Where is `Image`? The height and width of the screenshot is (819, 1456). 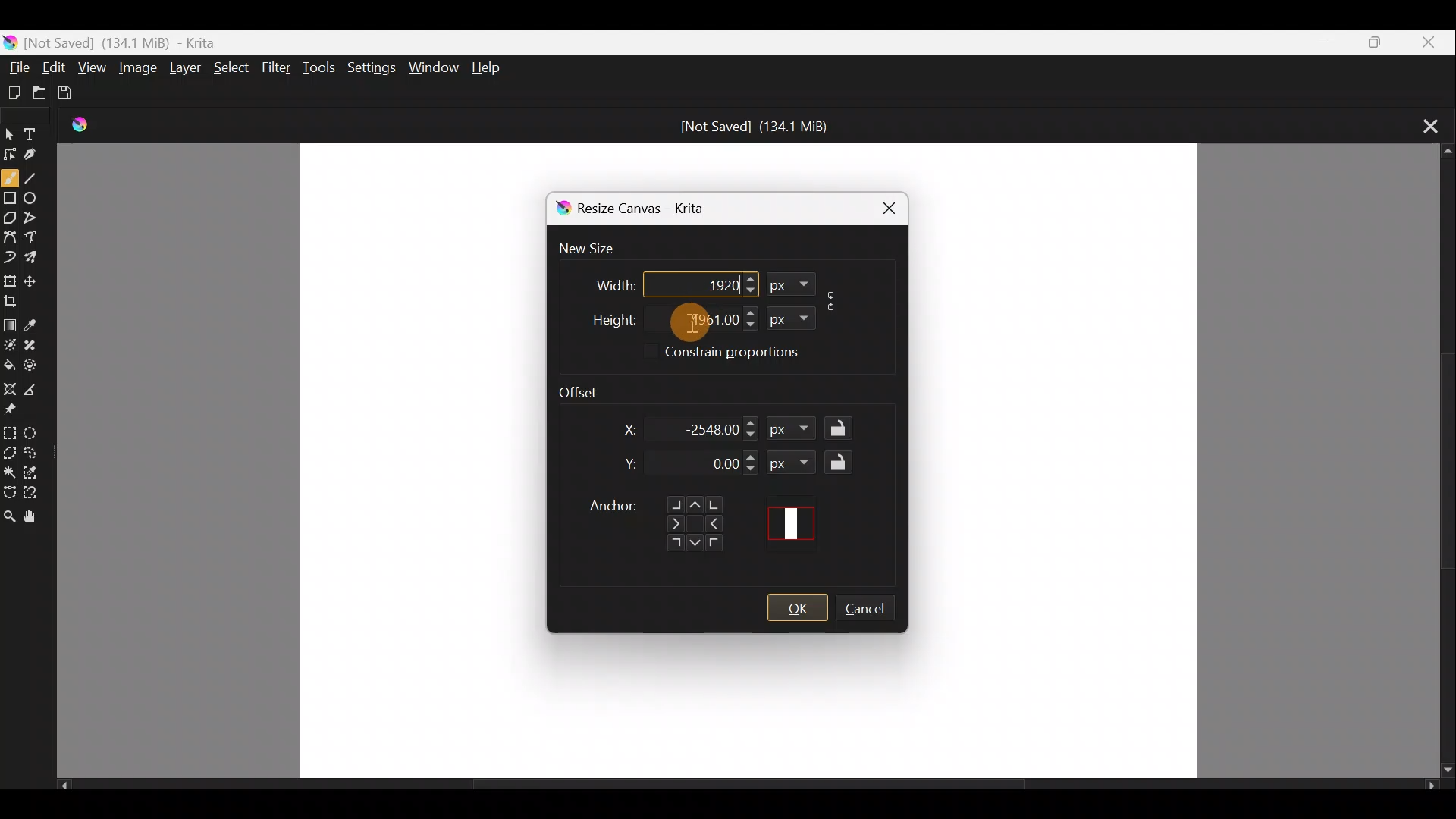 Image is located at coordinates (136, 70).